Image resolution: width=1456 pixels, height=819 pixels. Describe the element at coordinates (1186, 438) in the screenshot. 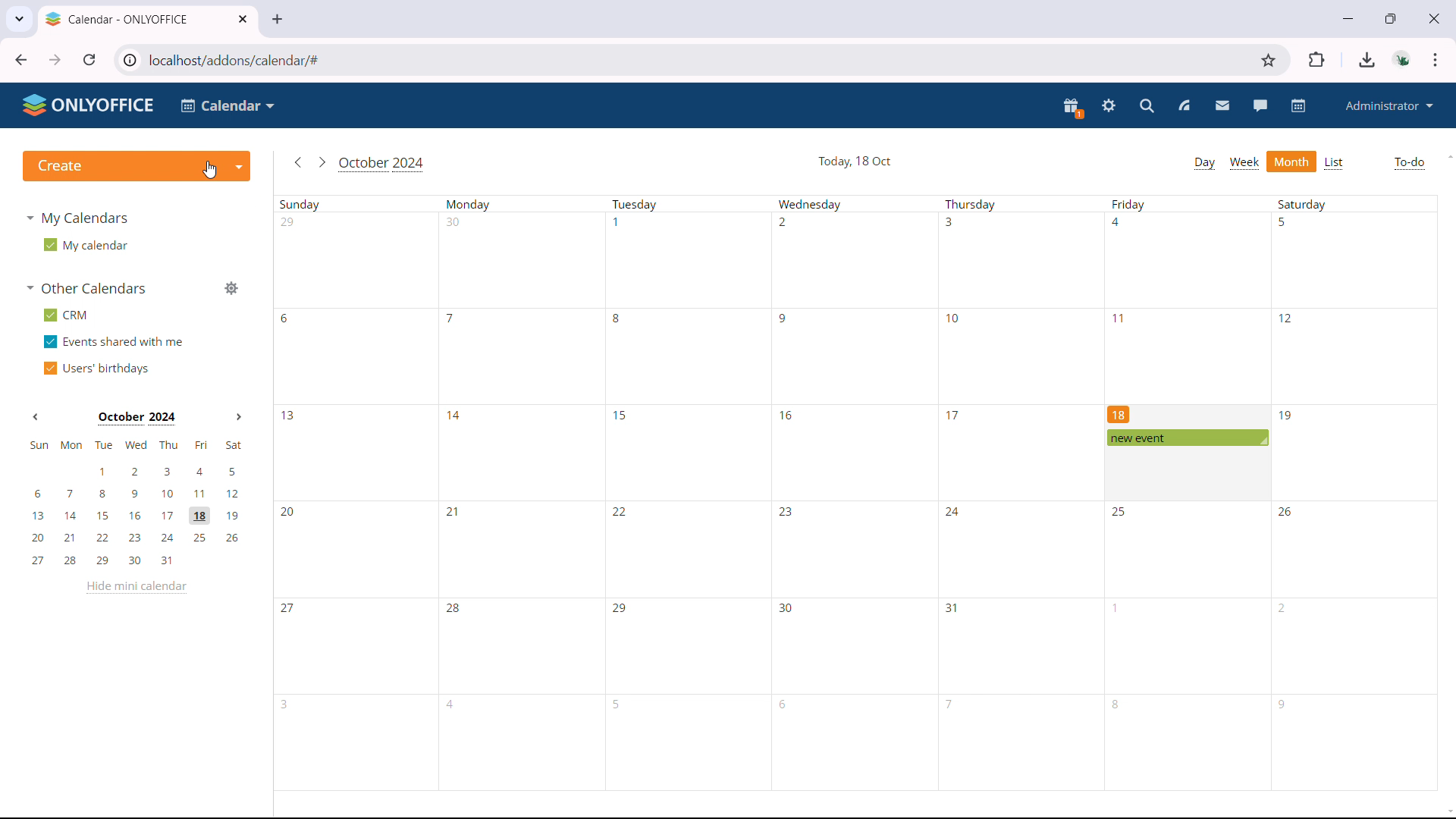

I see `scheduled event` at that location.